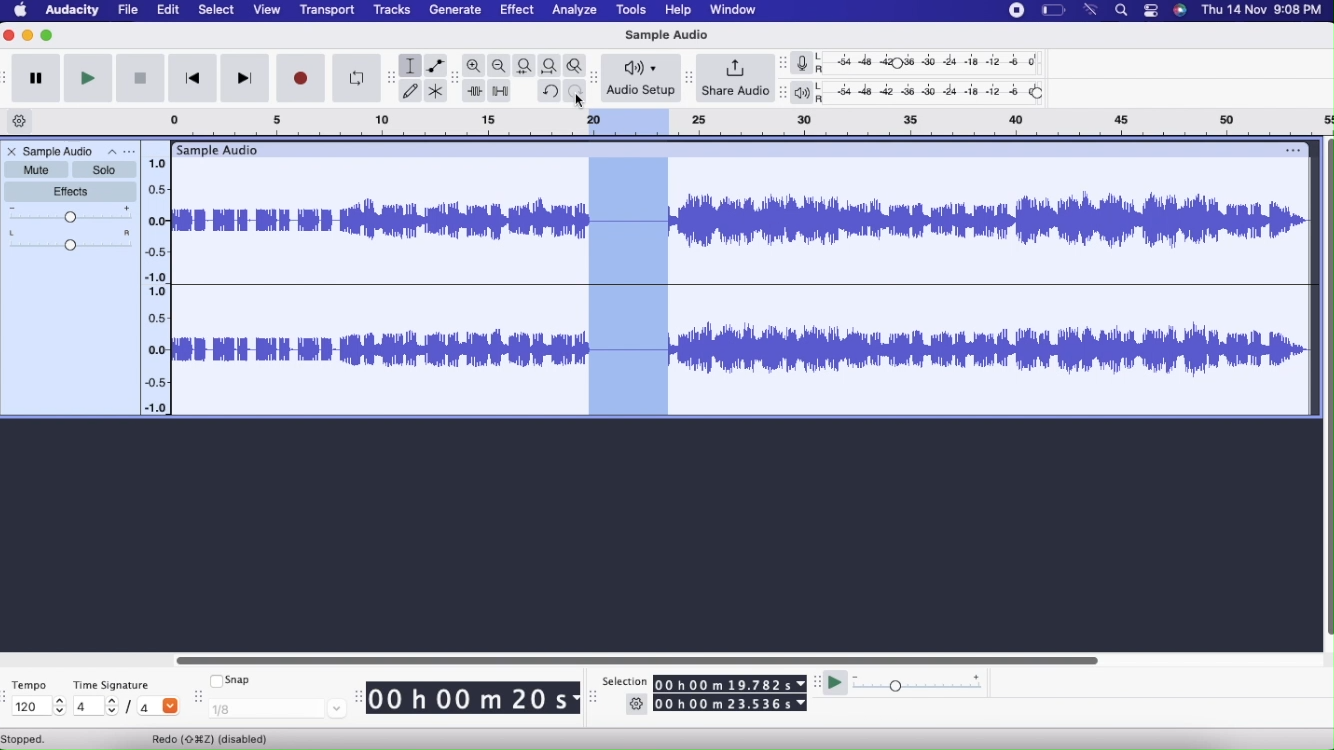 The image size is (1334, 750). What do you see at coordinates (141, 79) in the screenshot?
I see `Stop` at bounding box center [141, 79].